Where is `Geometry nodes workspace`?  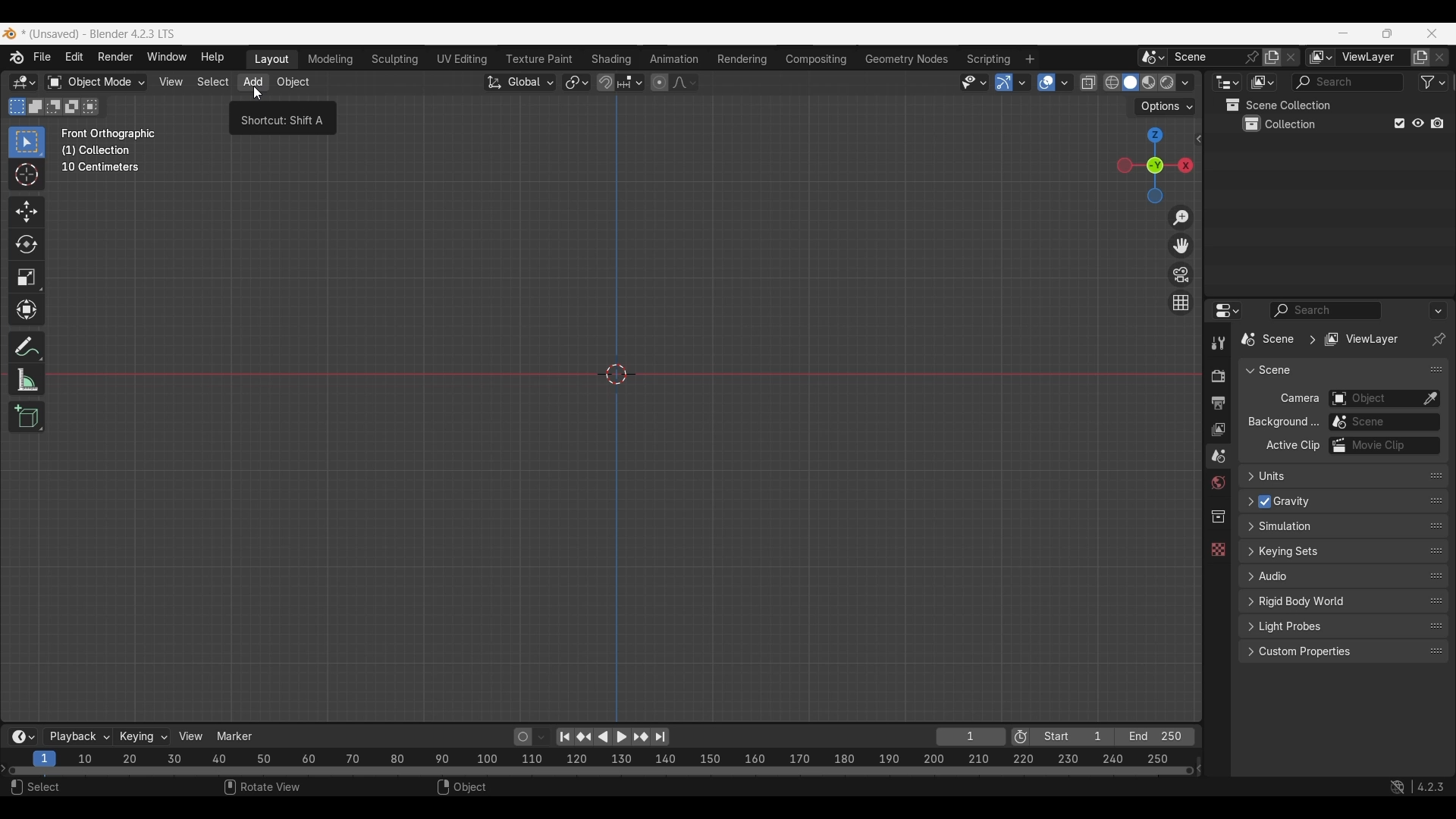
Geometry nodes workspace is located at coordinates (906, 58).